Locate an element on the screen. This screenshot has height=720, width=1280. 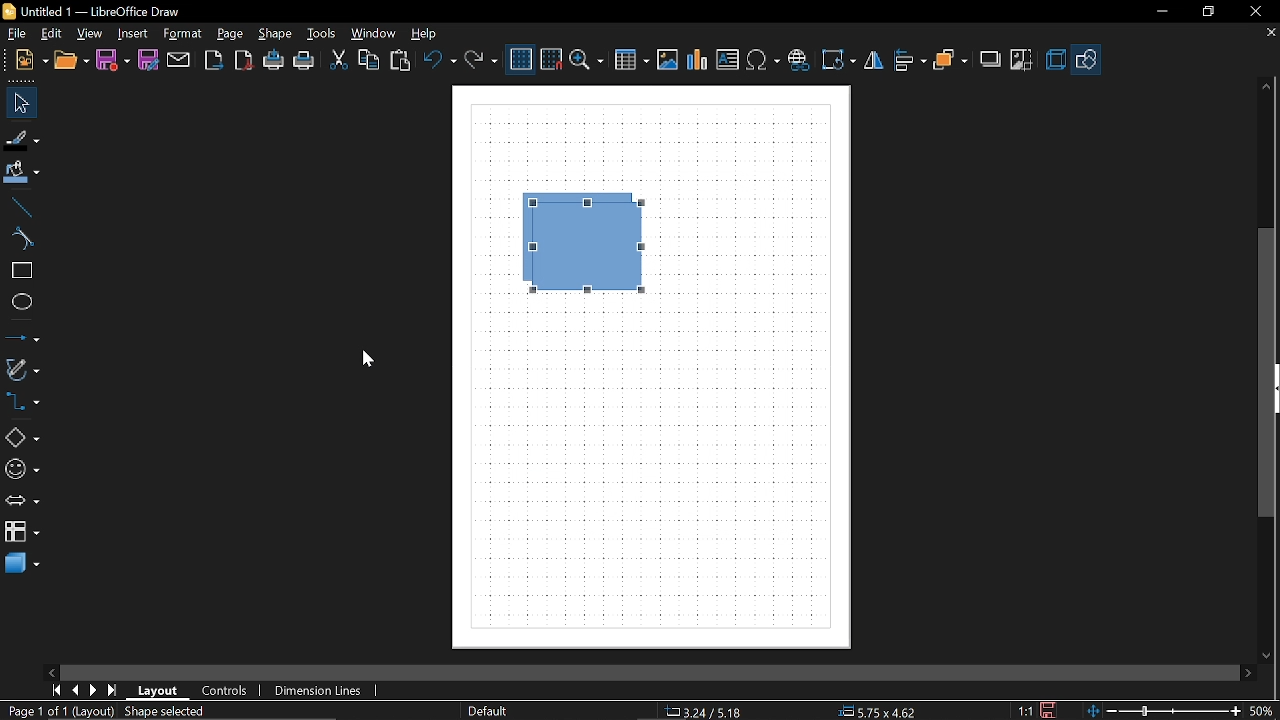
Connector is located at coordinates (22, 401).